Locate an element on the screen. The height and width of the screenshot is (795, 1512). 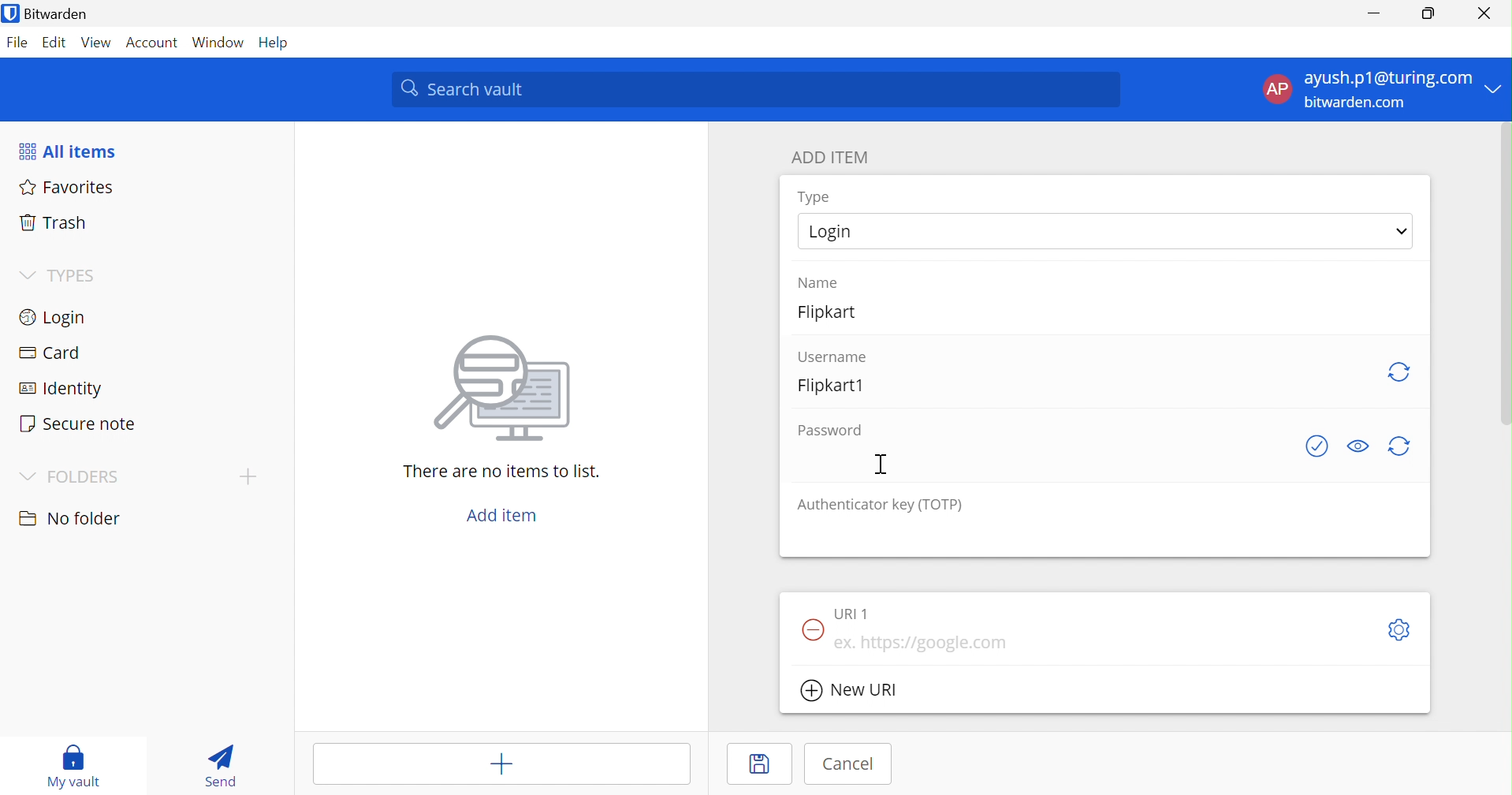
Drop Down is located at coordinates (25, 273).